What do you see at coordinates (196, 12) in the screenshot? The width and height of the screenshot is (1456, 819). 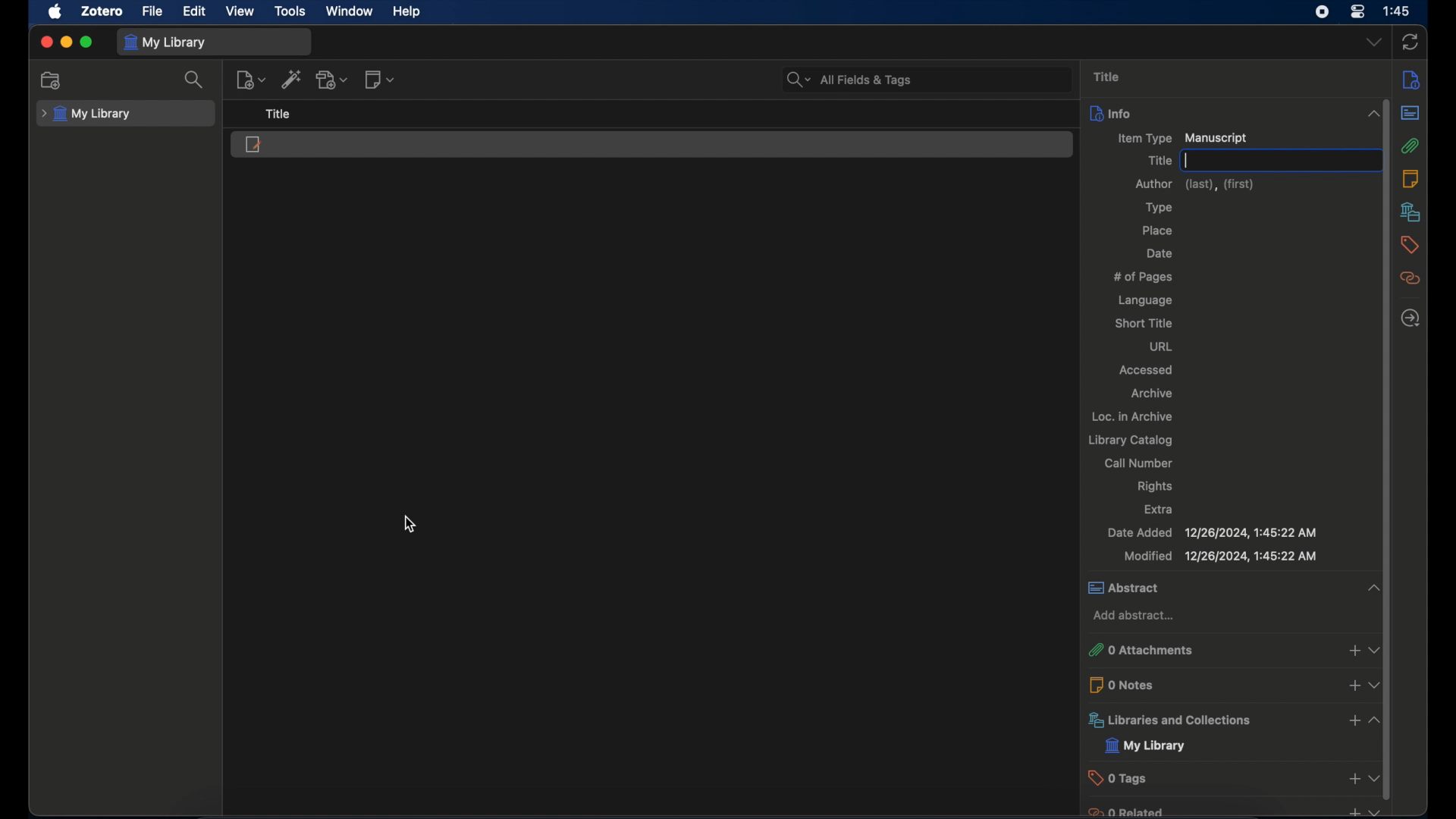 I see `edit` at bounding box center [196, 12].